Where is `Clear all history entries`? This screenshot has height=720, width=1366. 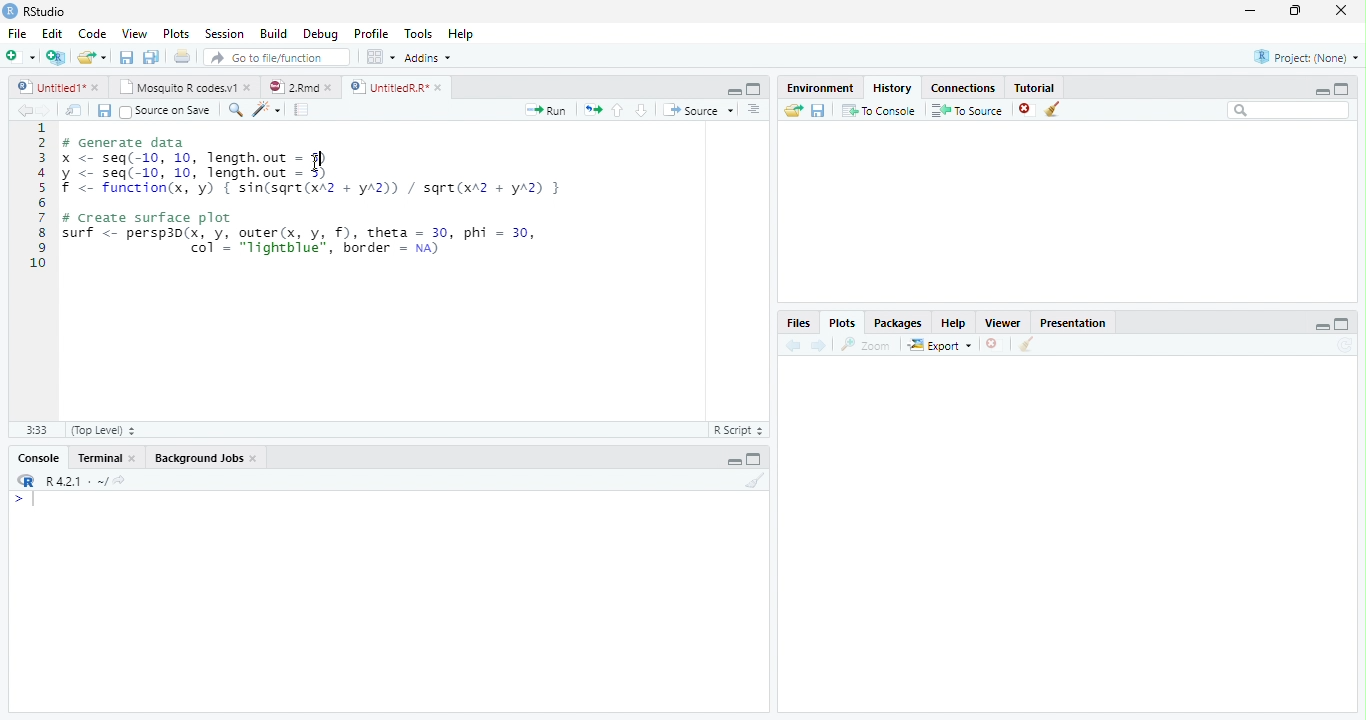
Clear all history entries is located at coordinates (1052, 109).